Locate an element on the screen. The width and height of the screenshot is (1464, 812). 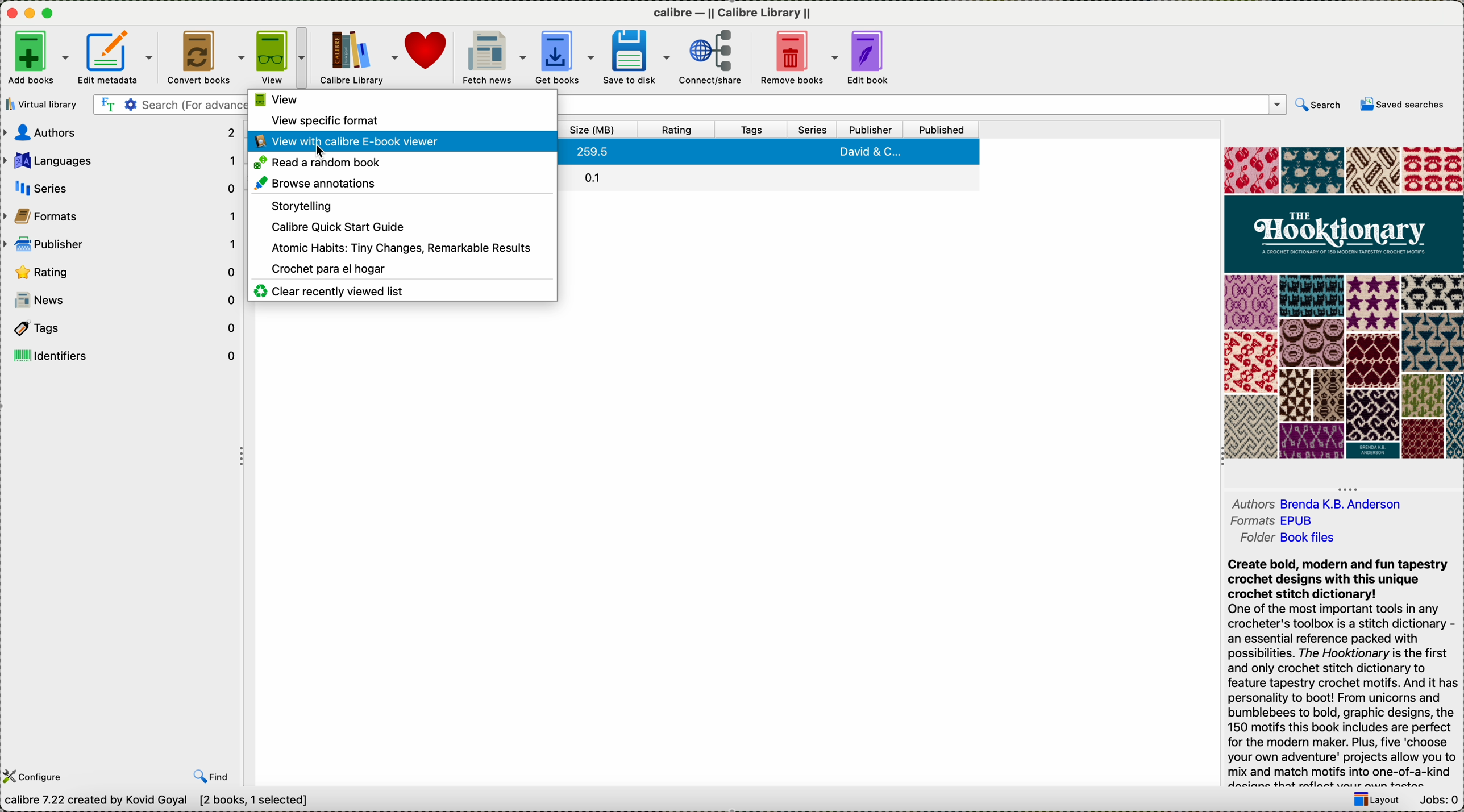
fetch news is located at coordinates (493, 56).